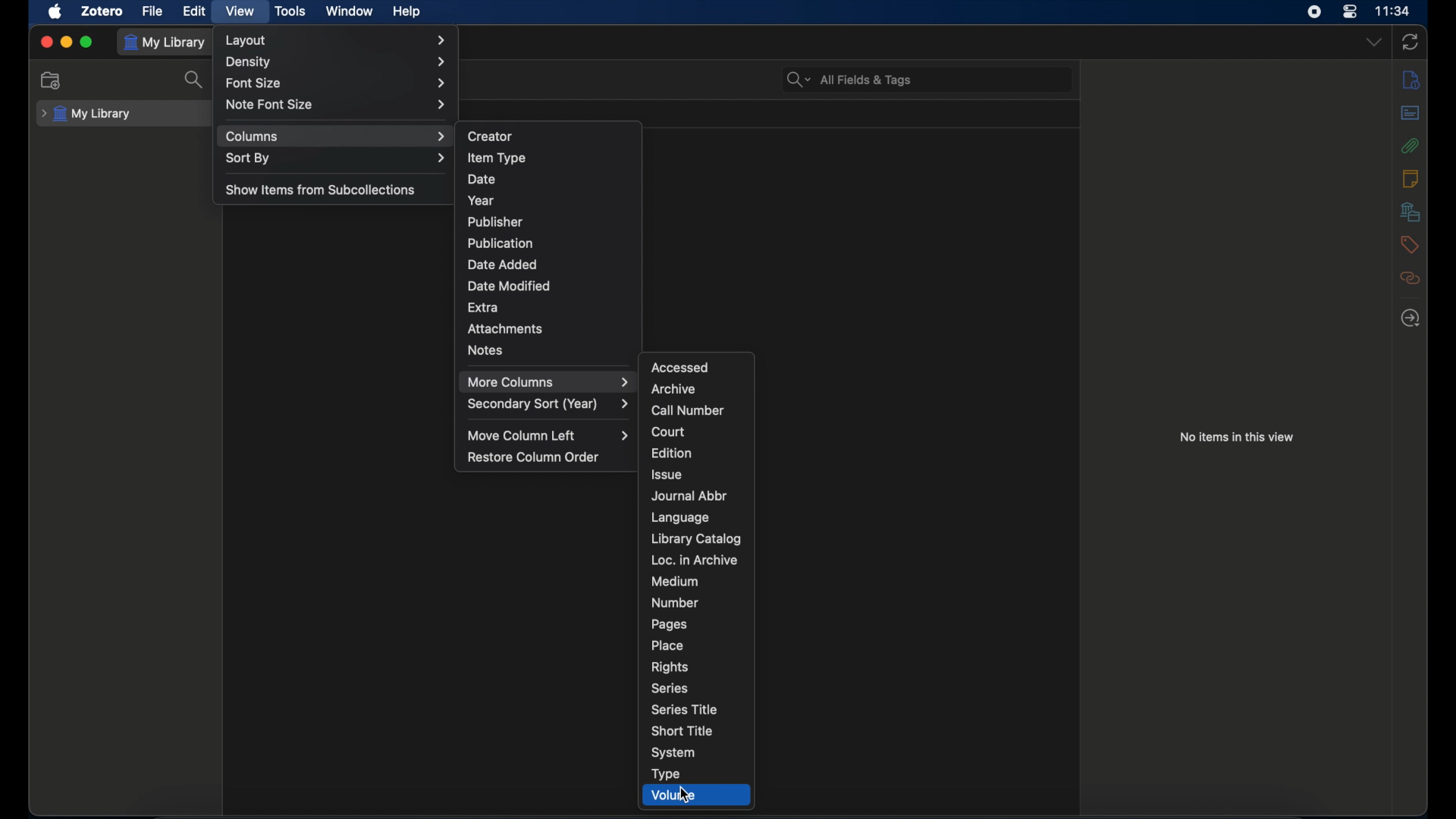  Describe the element at coordinates (196, 12) in the screenshot. I see `edit` at that location.